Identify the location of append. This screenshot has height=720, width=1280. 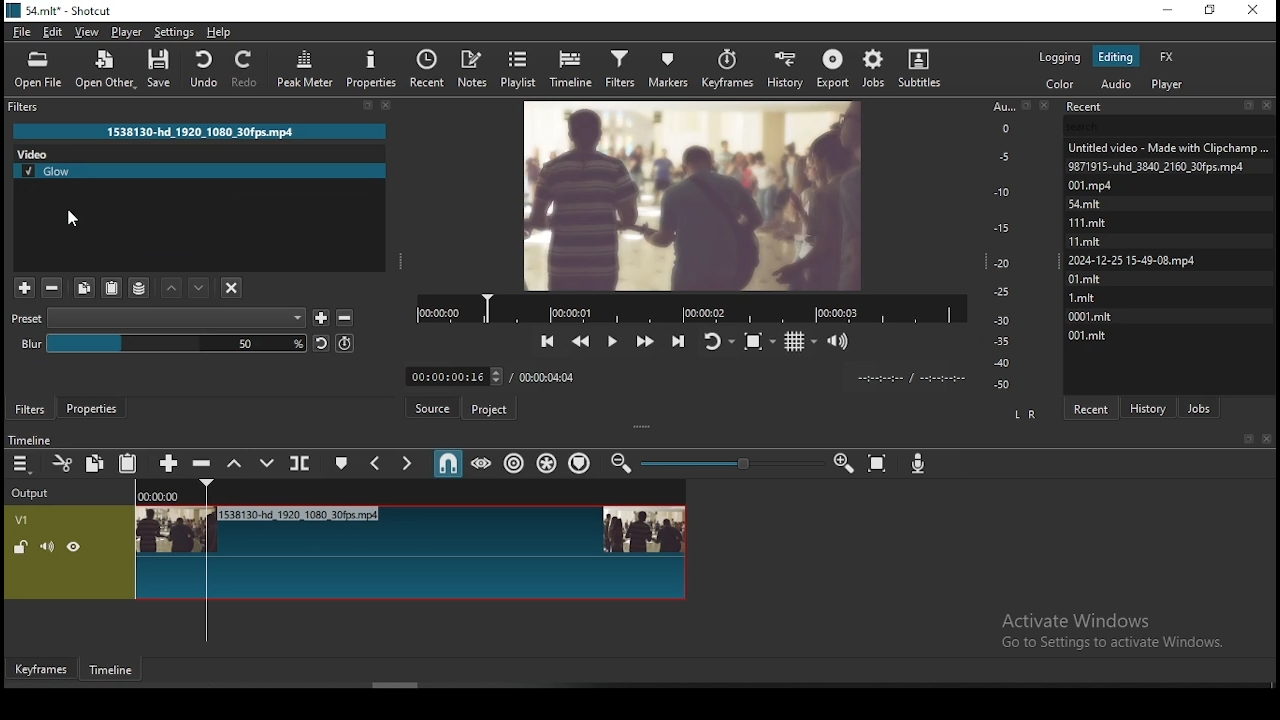
(169, 464).